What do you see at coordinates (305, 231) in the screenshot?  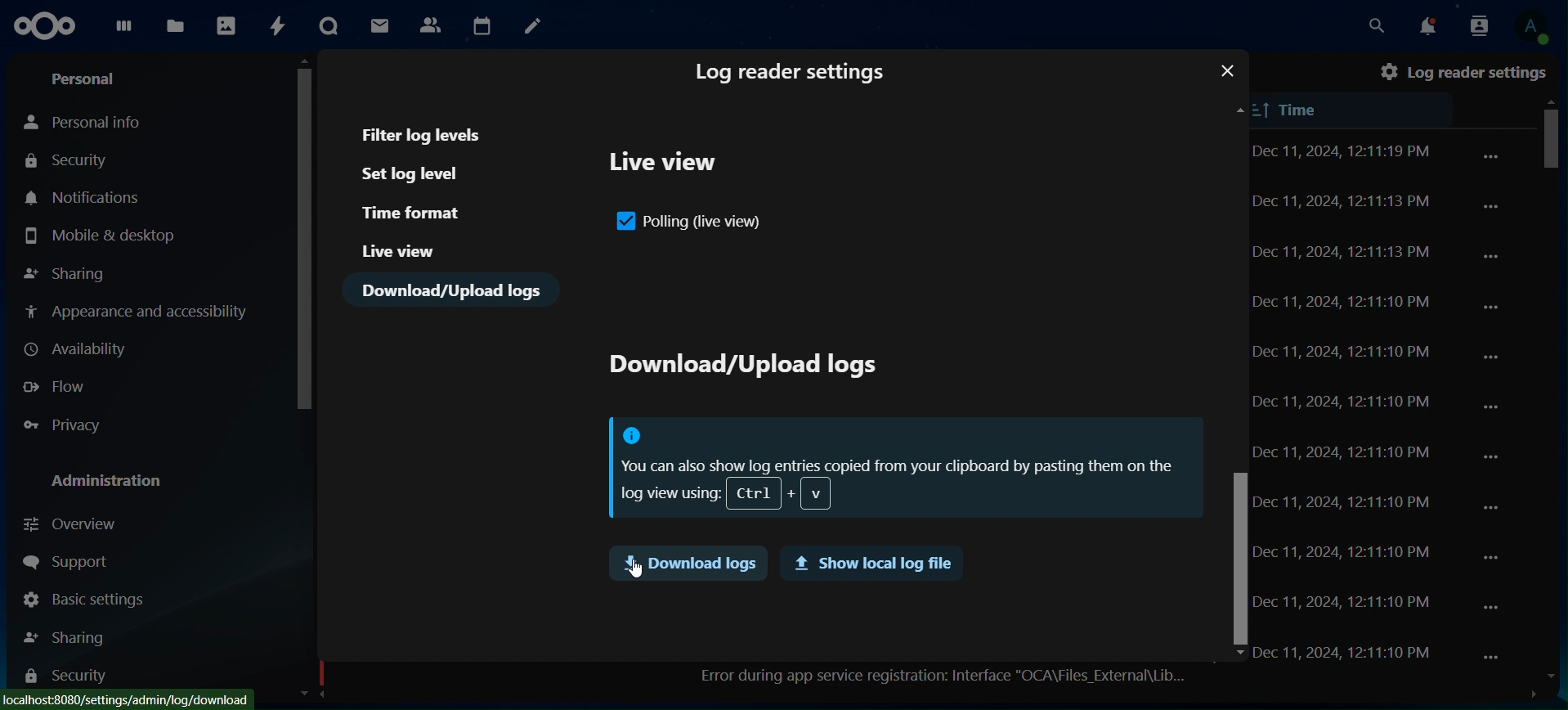 I see `scrollbar` at bounding box center [305, 231].